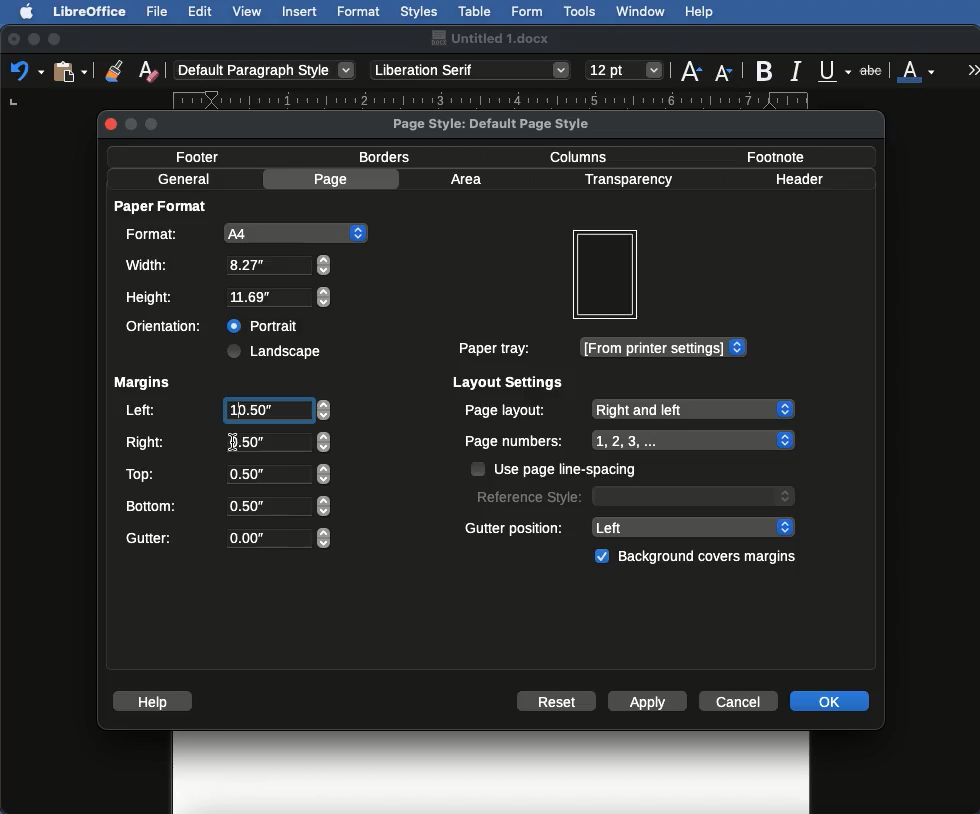  What do you see at coordinates (581, 12) in the screenshot?
I see `Tools` at bounding box center [581, 12].